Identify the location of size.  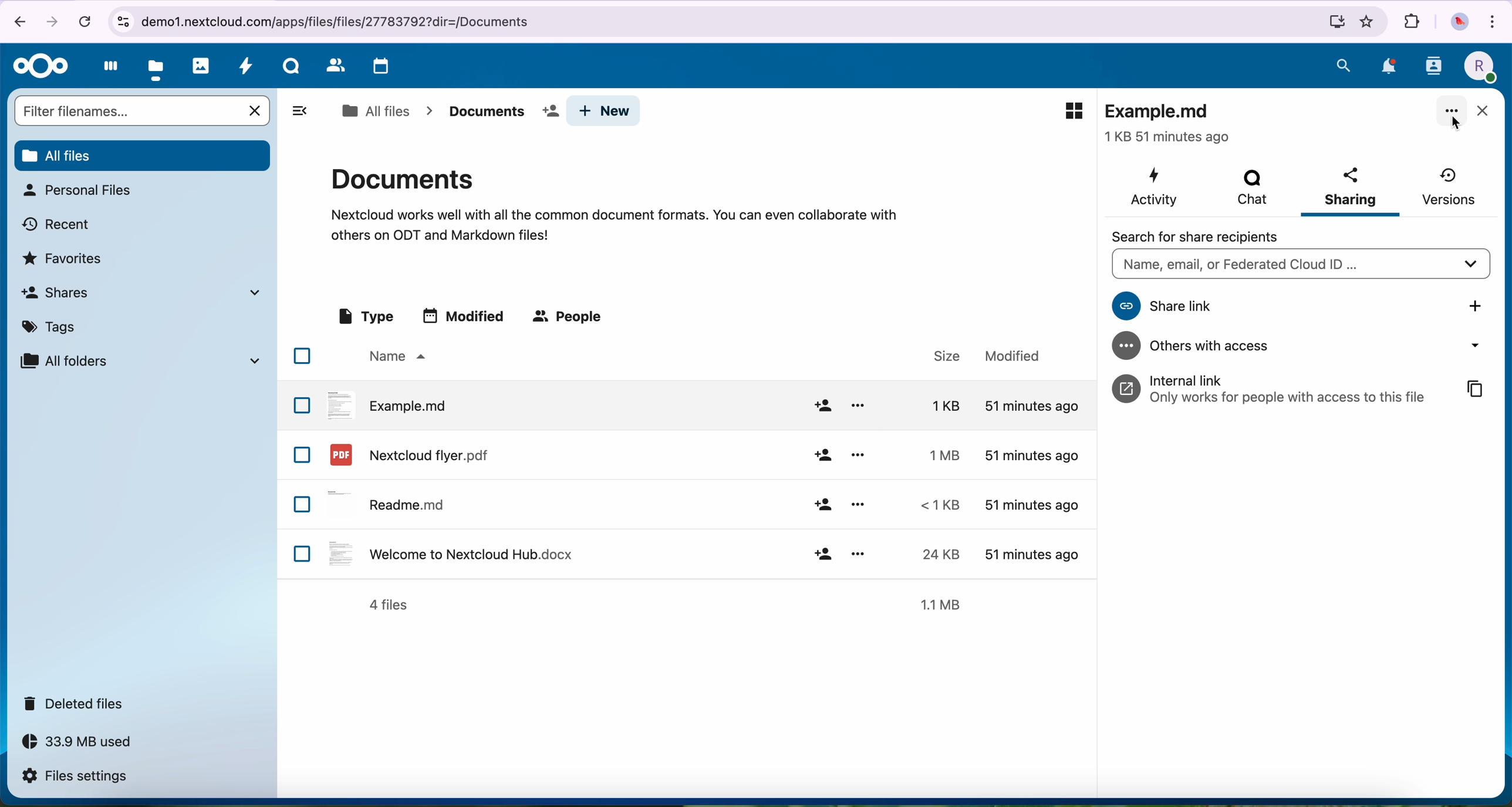
(935, 405).